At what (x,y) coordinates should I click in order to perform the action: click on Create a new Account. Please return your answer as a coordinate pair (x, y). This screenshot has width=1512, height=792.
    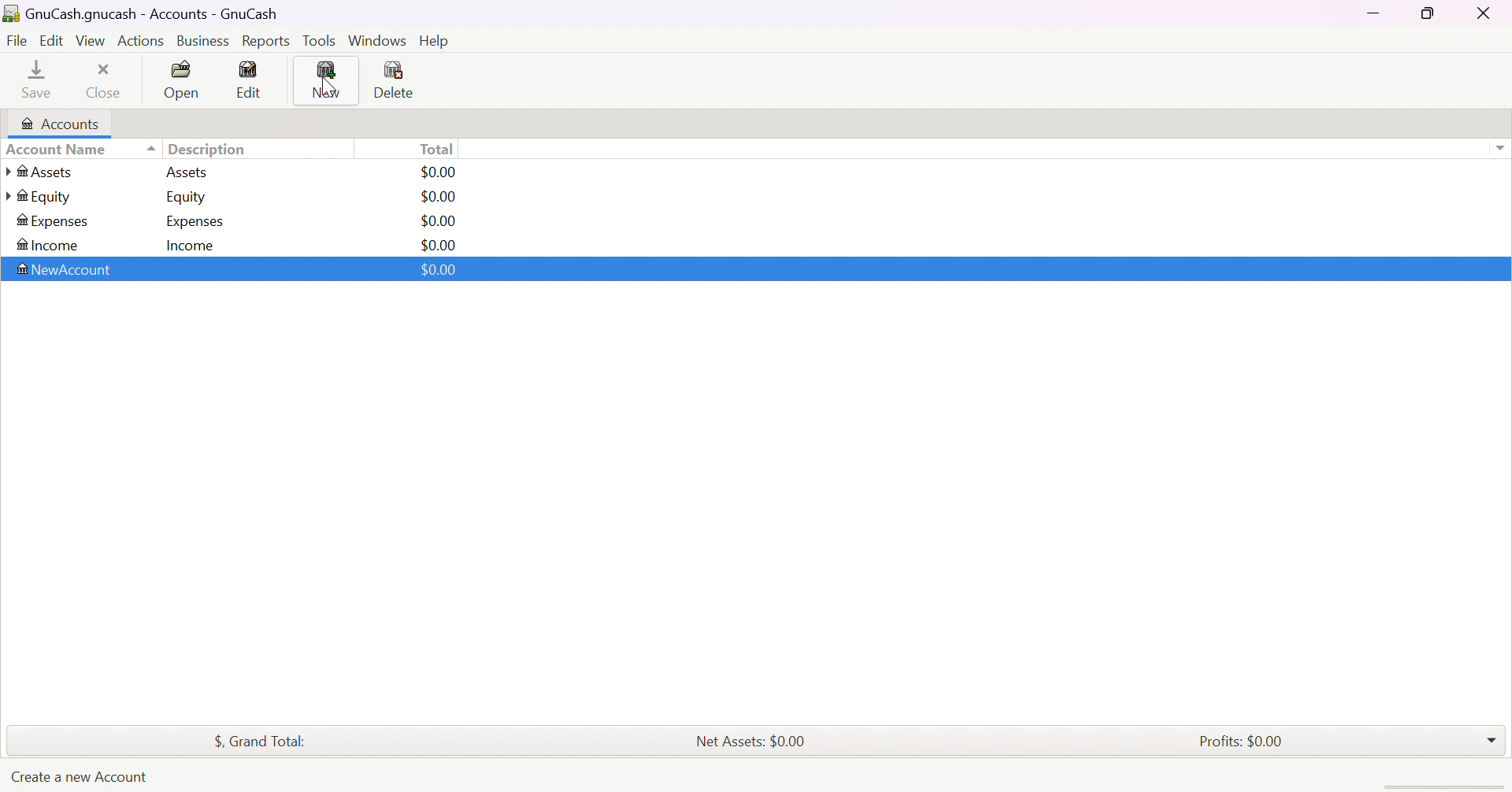
    Looking at the image, I should click on (80, 778).